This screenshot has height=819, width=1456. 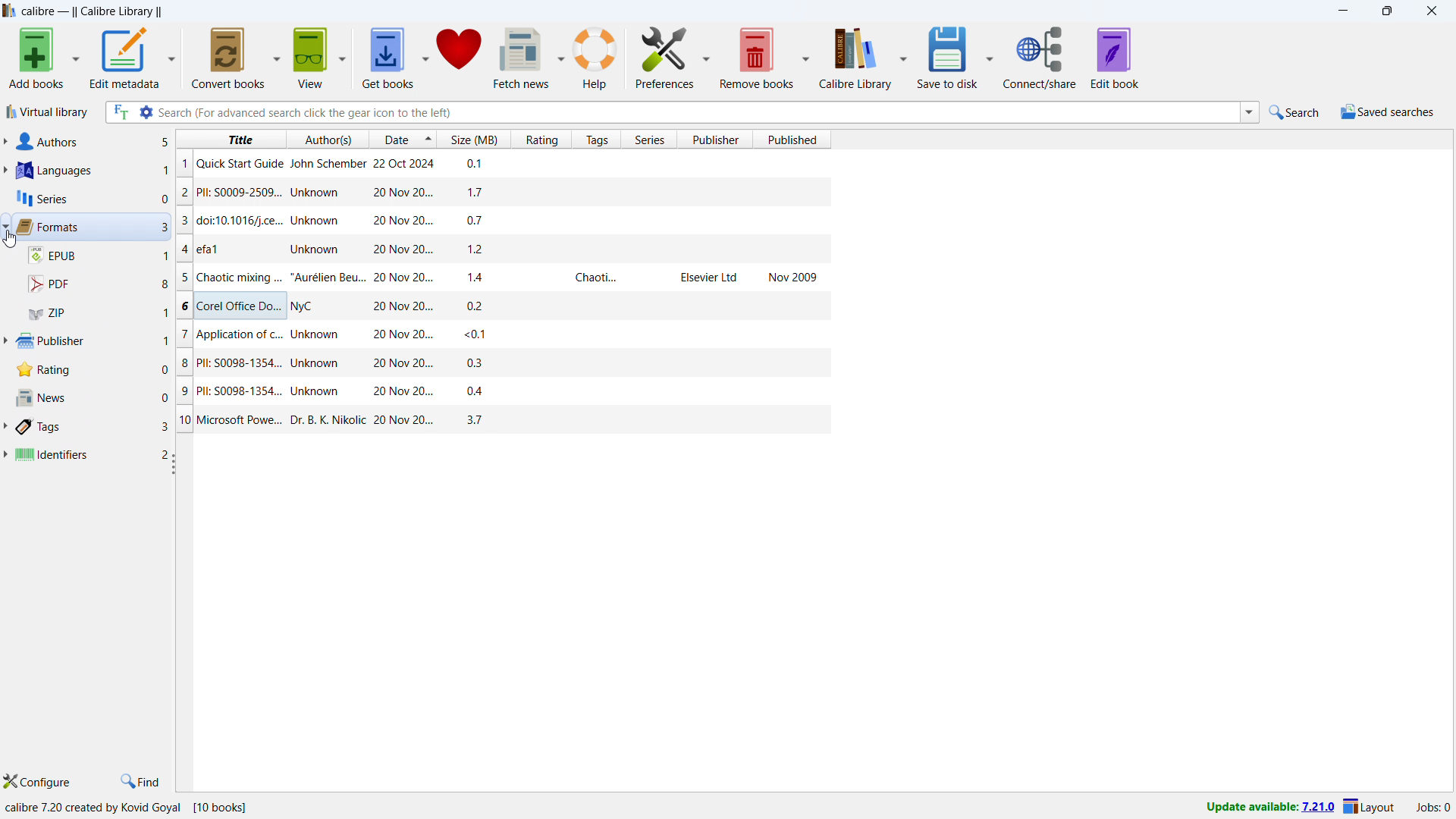 What do you see at coordinates (494, 219) in the screenshot?
I see `one book entry` at bounding box center [494, 219].